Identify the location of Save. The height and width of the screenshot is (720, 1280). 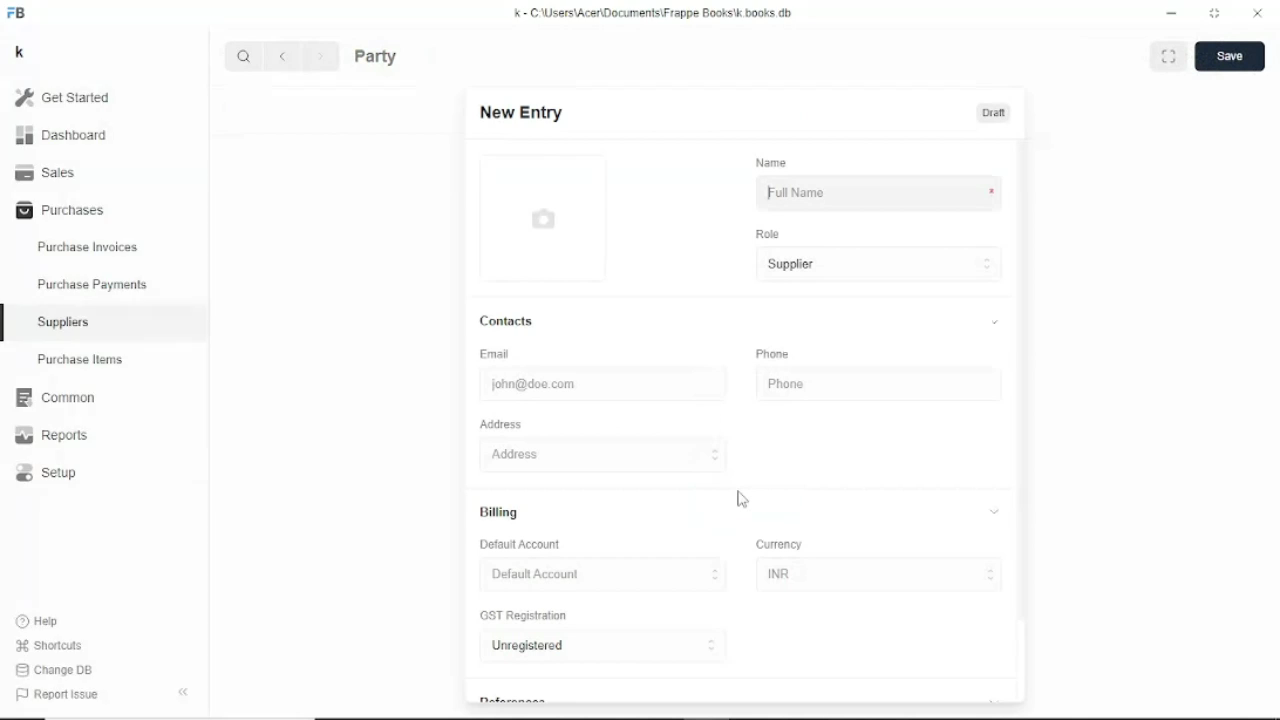
(1230, 56).